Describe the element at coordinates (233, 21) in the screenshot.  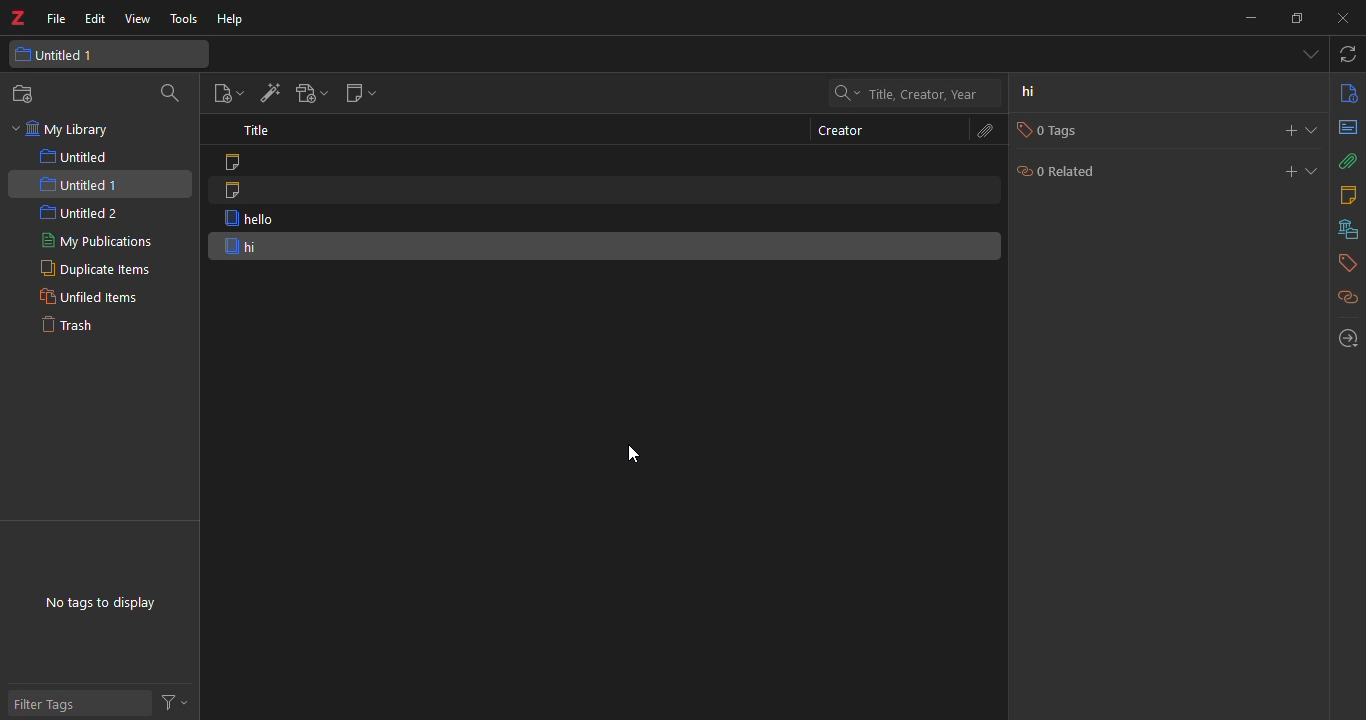
I see `help` at that location.